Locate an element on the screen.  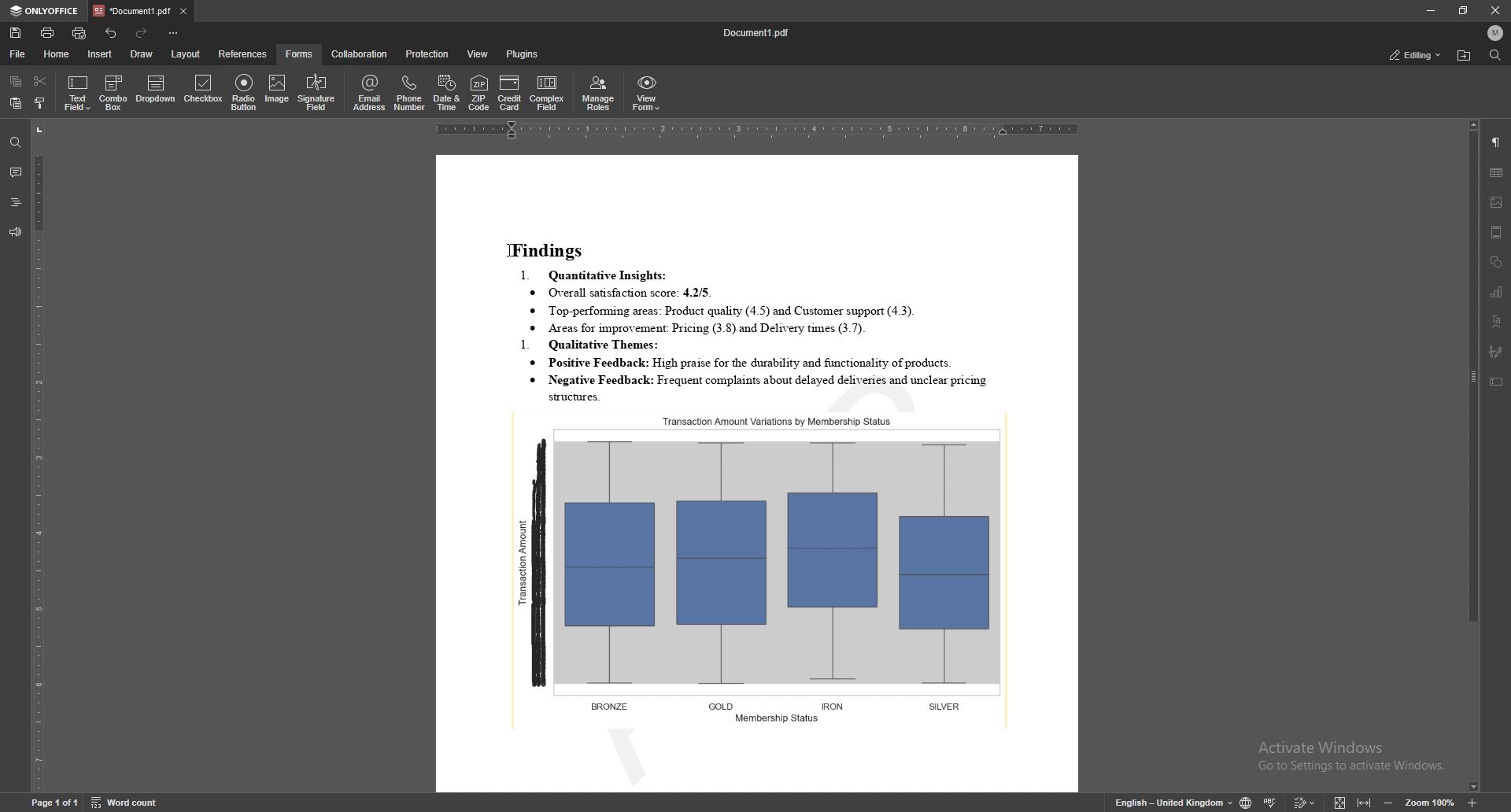
manage roles is located at coordinates (599, 94).